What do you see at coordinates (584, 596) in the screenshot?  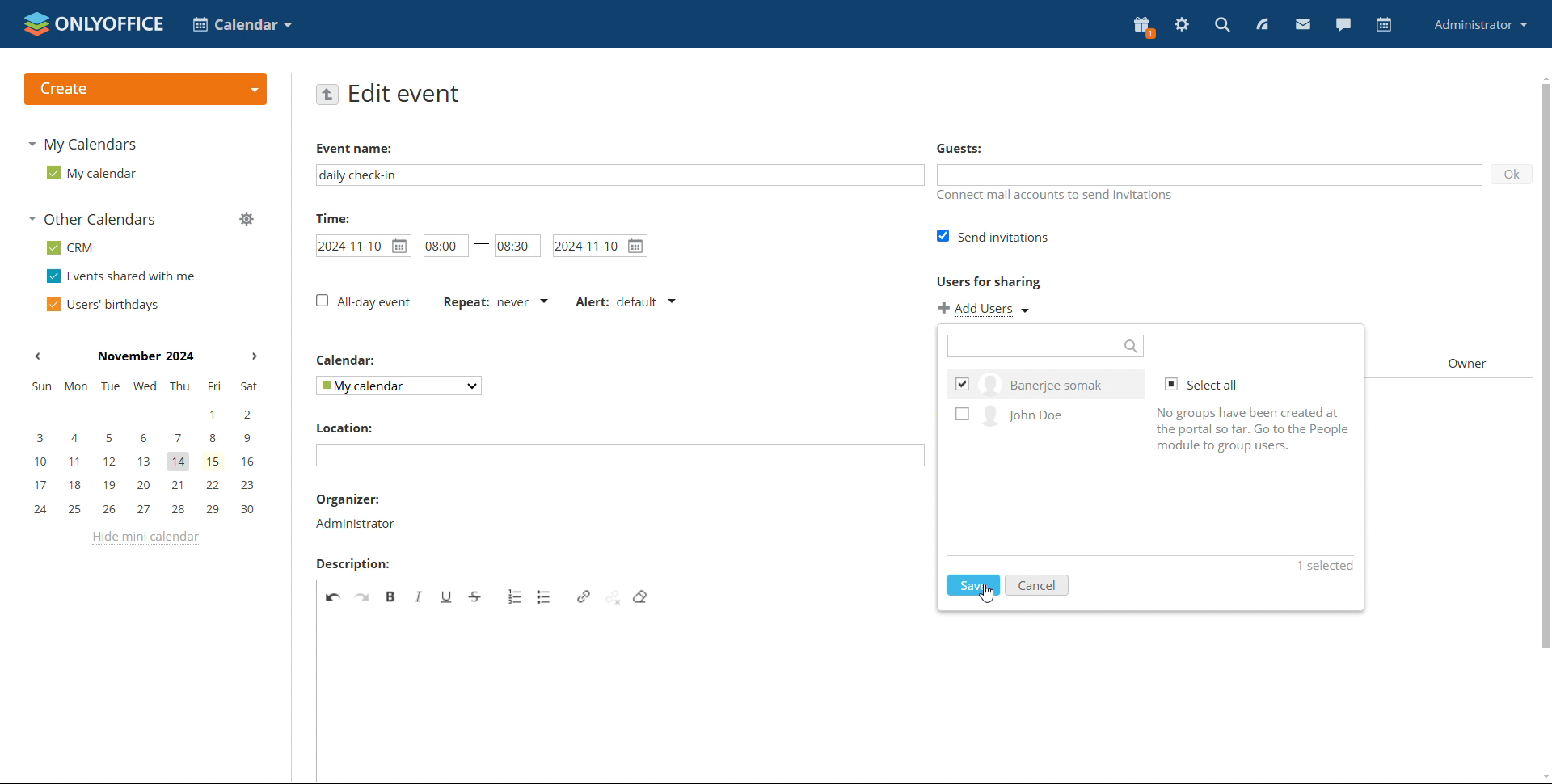 I see `link` at bounding box center [584, 596].